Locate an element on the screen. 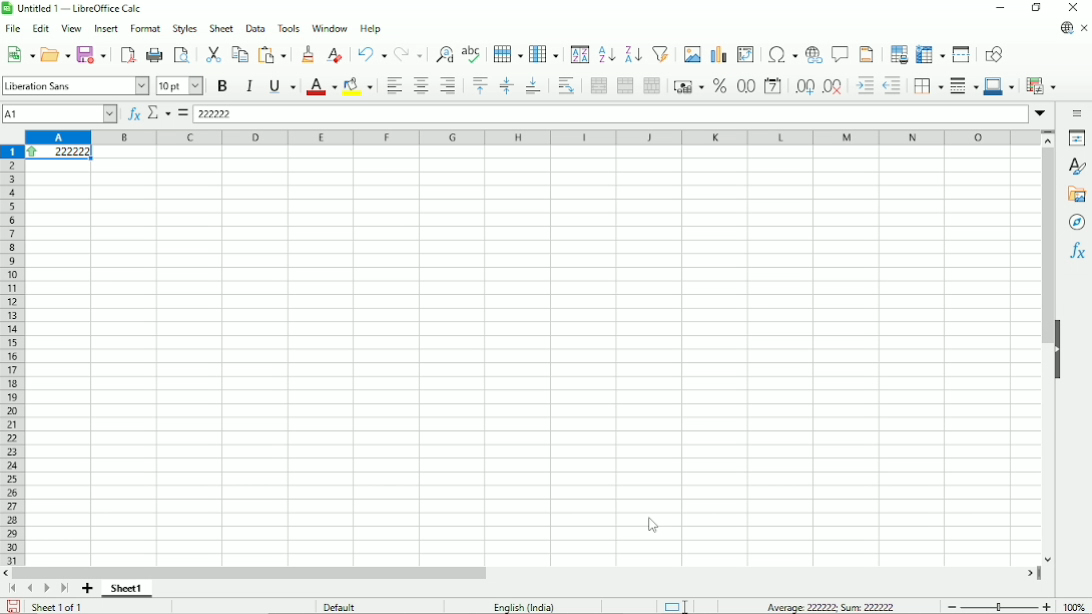 This screenshot has width=1092, height=614. Format as number is located at coordinates (745, 87).